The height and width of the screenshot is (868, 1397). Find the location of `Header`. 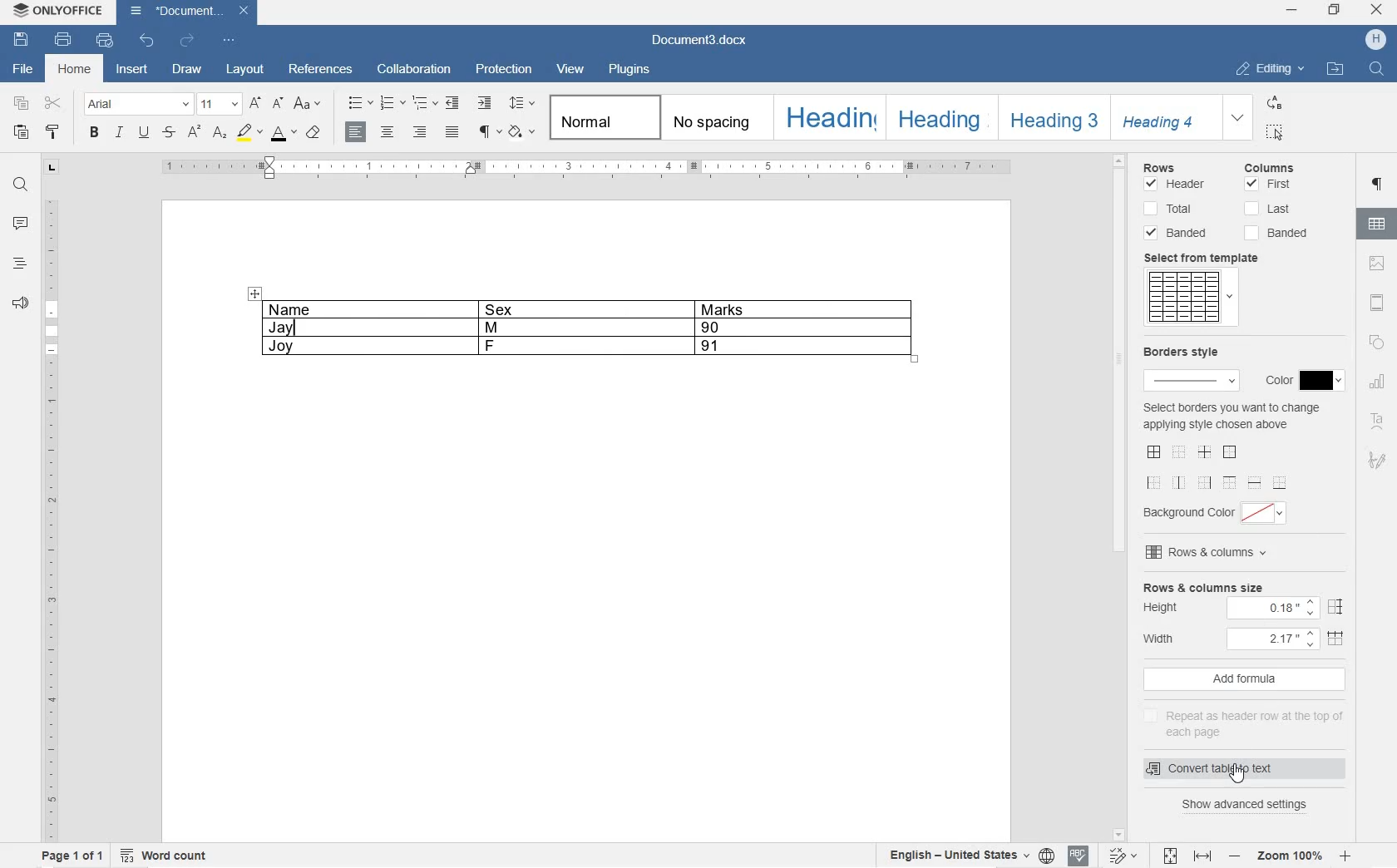

Header is located at coordinates (1175, 185).